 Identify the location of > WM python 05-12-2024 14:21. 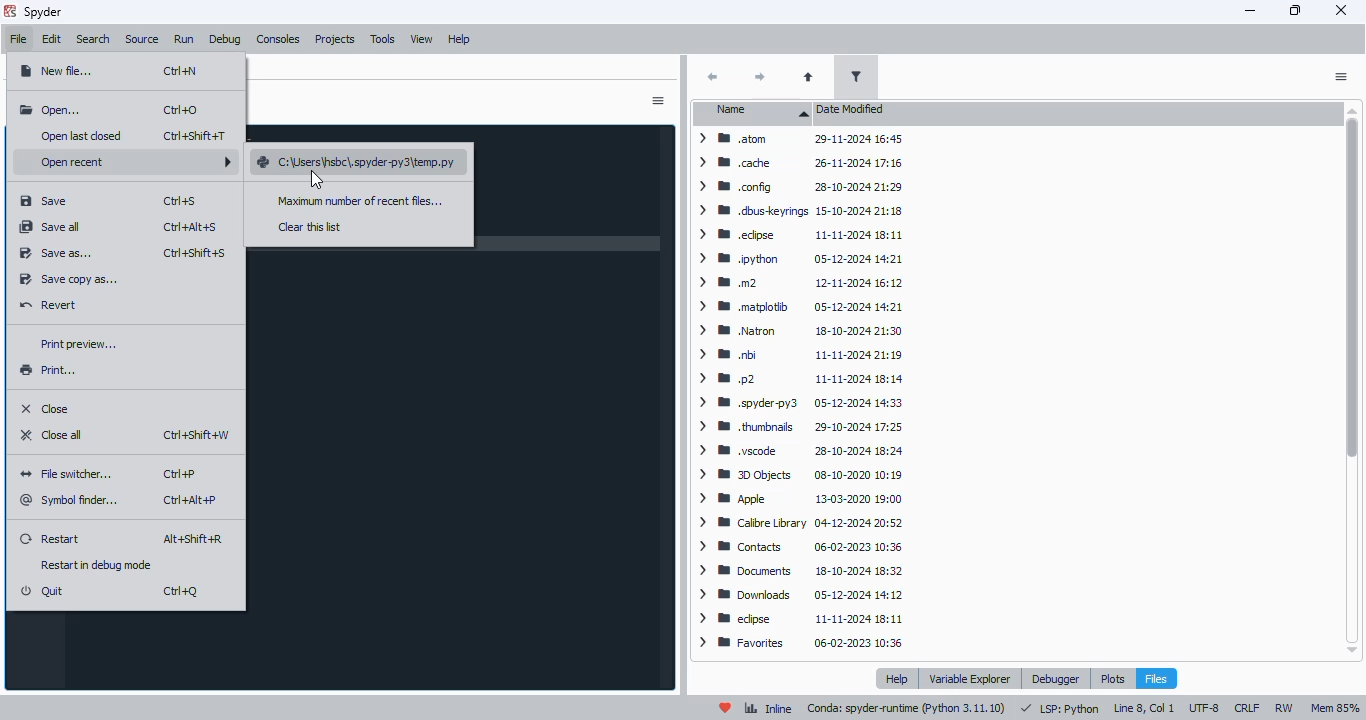
(800, 258).